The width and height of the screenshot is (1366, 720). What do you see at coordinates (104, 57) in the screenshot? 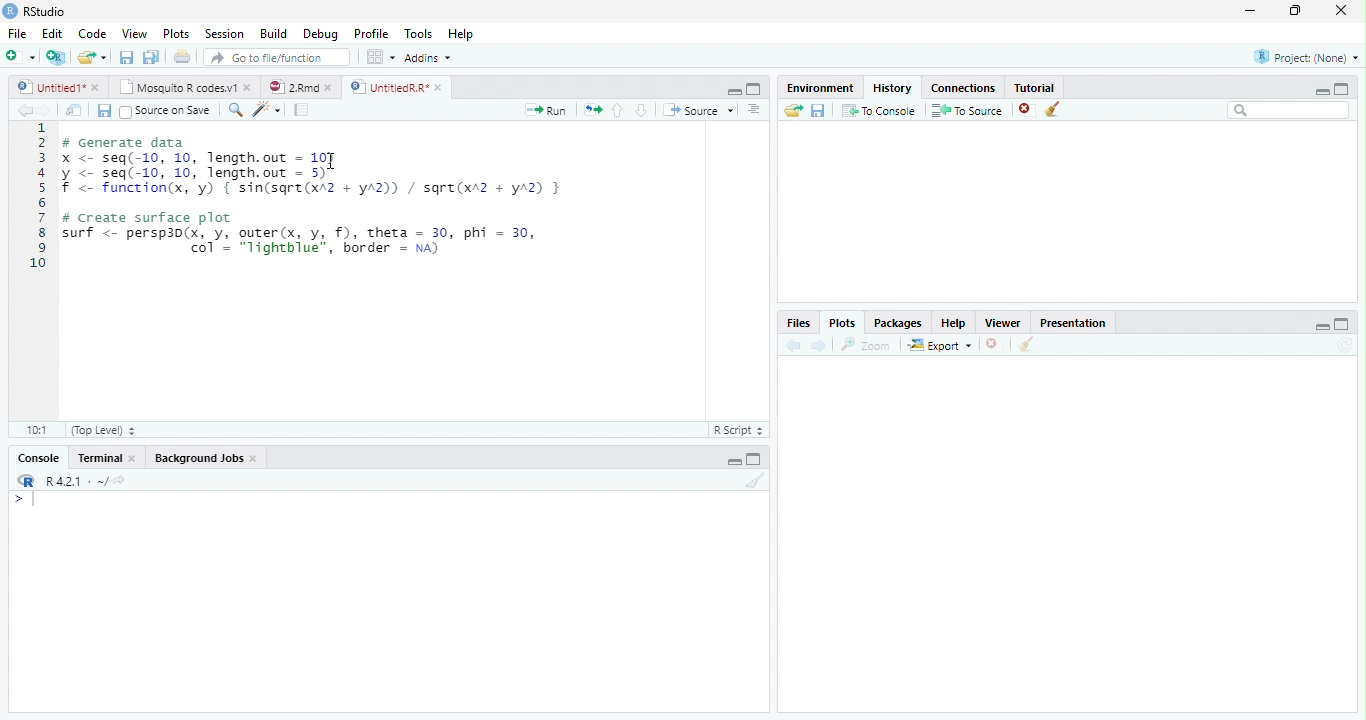
I see `Open recent files` at bounding box center [104, 57].